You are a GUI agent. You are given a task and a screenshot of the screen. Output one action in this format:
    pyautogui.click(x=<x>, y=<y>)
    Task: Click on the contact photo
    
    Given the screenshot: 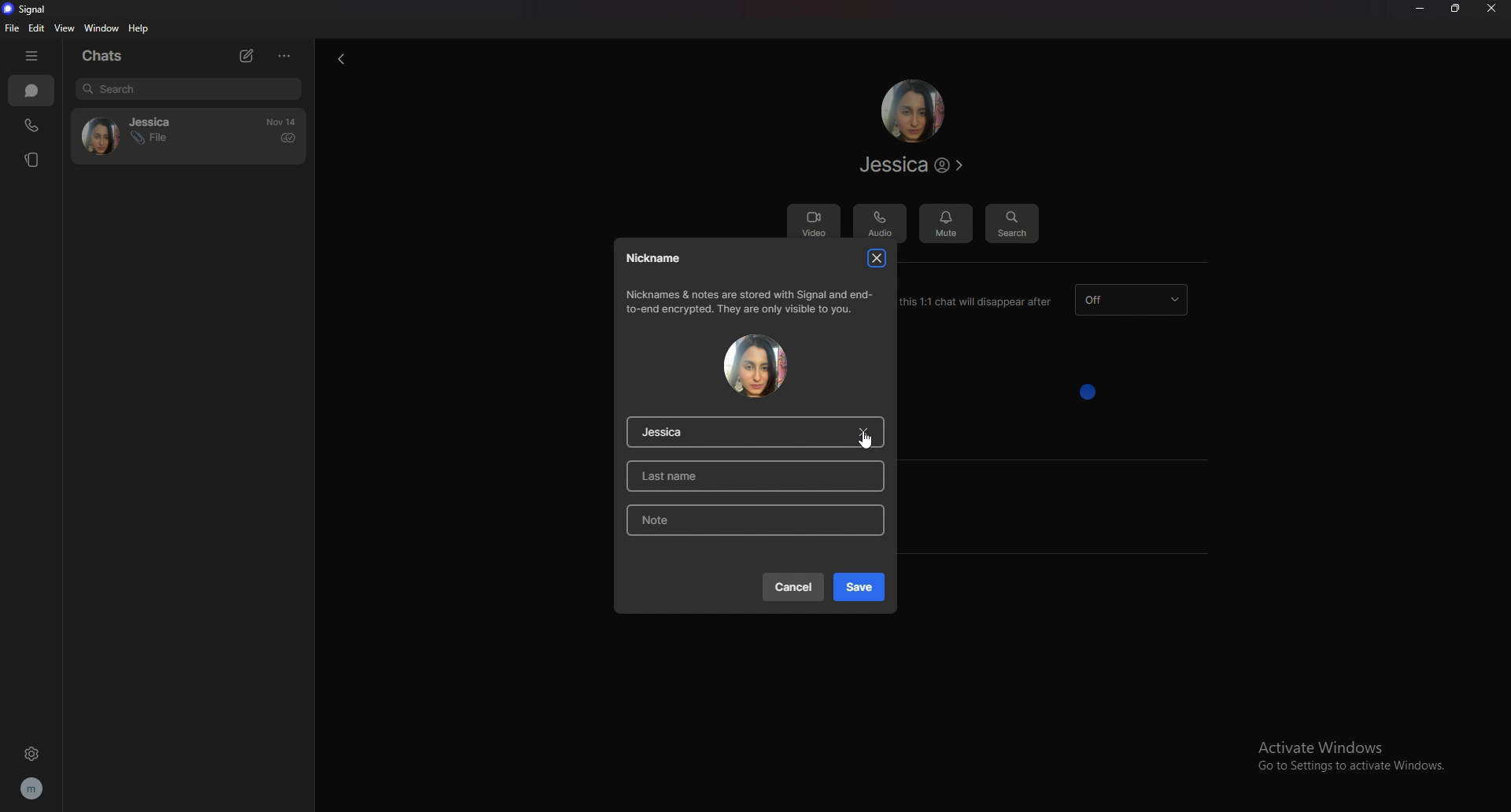 What is the action you would take?
    pyautogui.click(x=755, y=366)
    